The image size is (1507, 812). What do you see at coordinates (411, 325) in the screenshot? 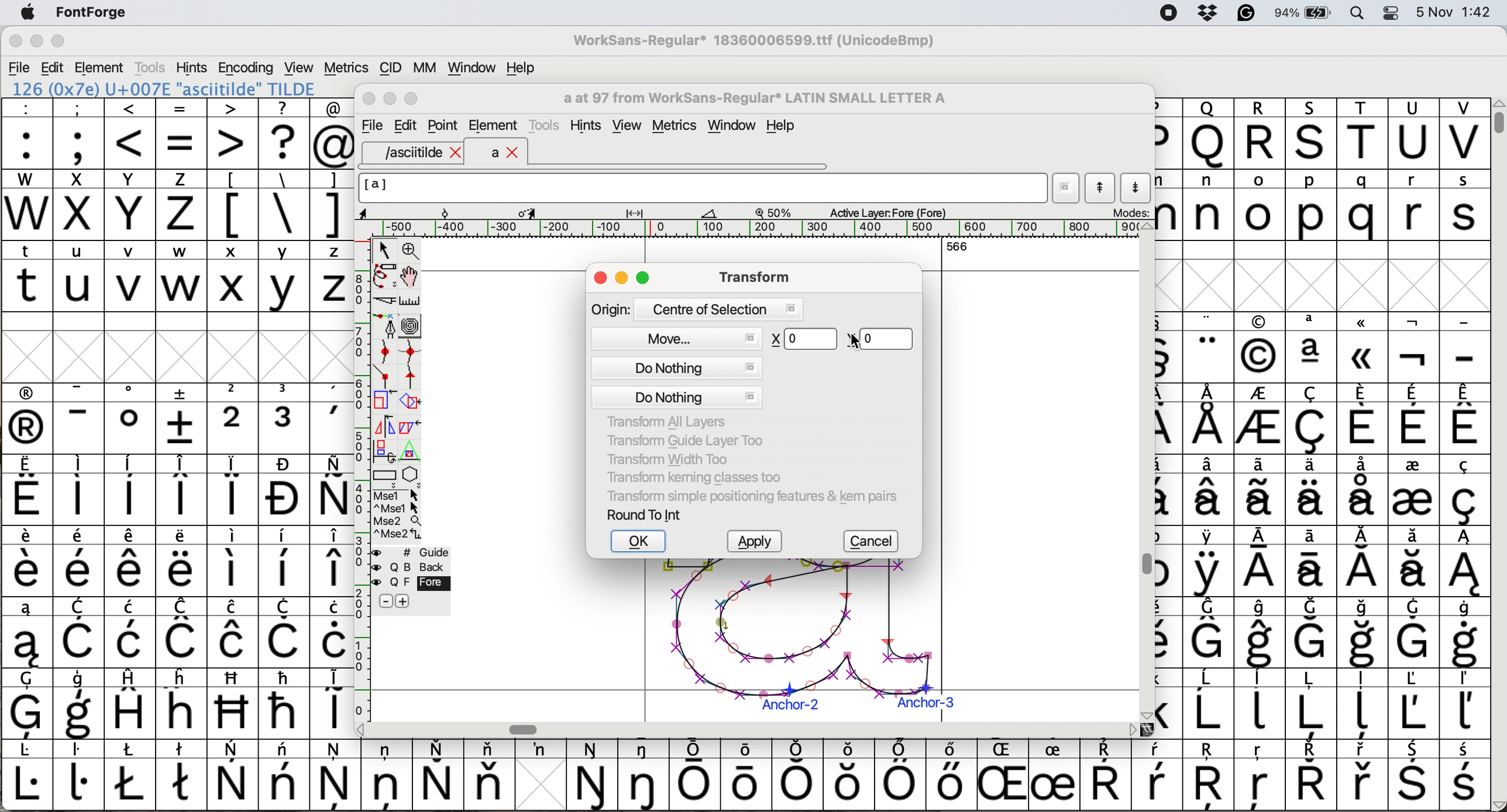
I see `change whether spiro is active or not` at bounding box center [411, 325].